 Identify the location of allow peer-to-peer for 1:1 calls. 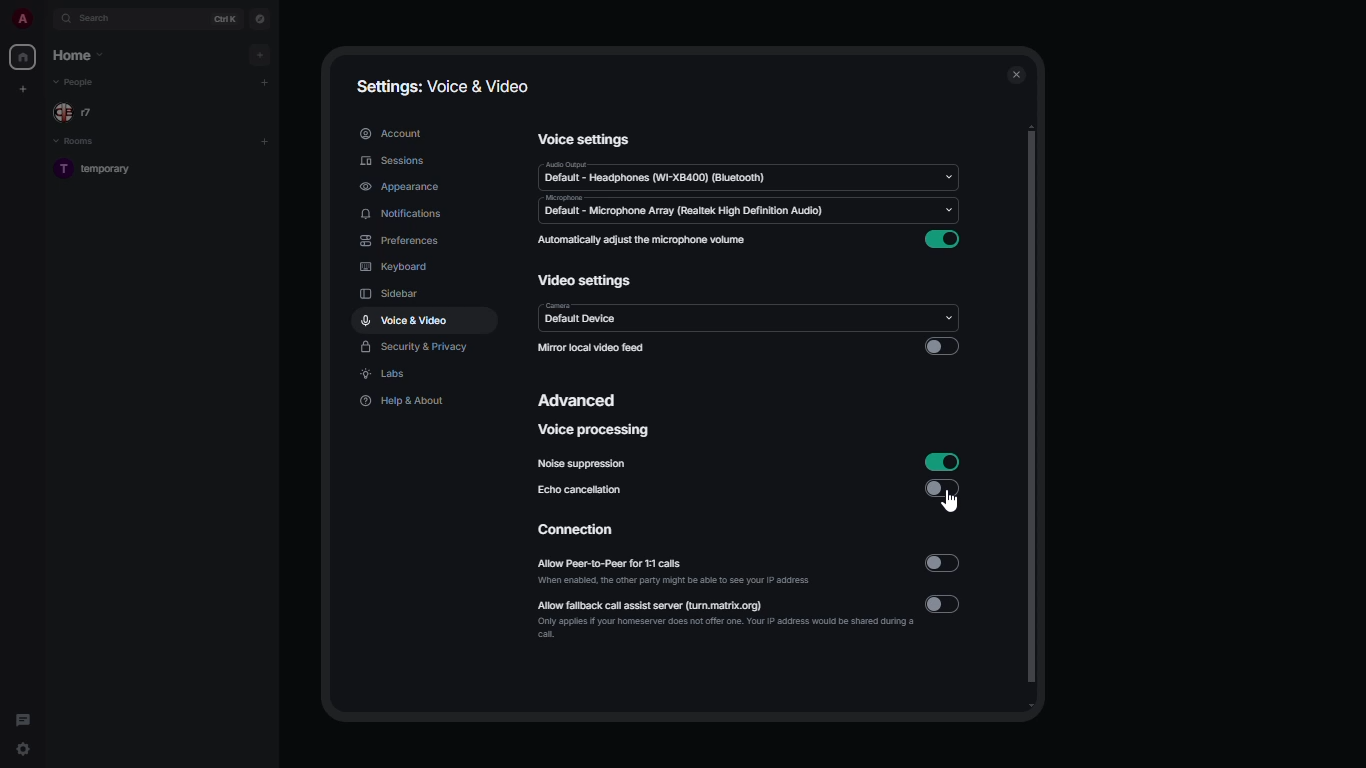
(677, 572).